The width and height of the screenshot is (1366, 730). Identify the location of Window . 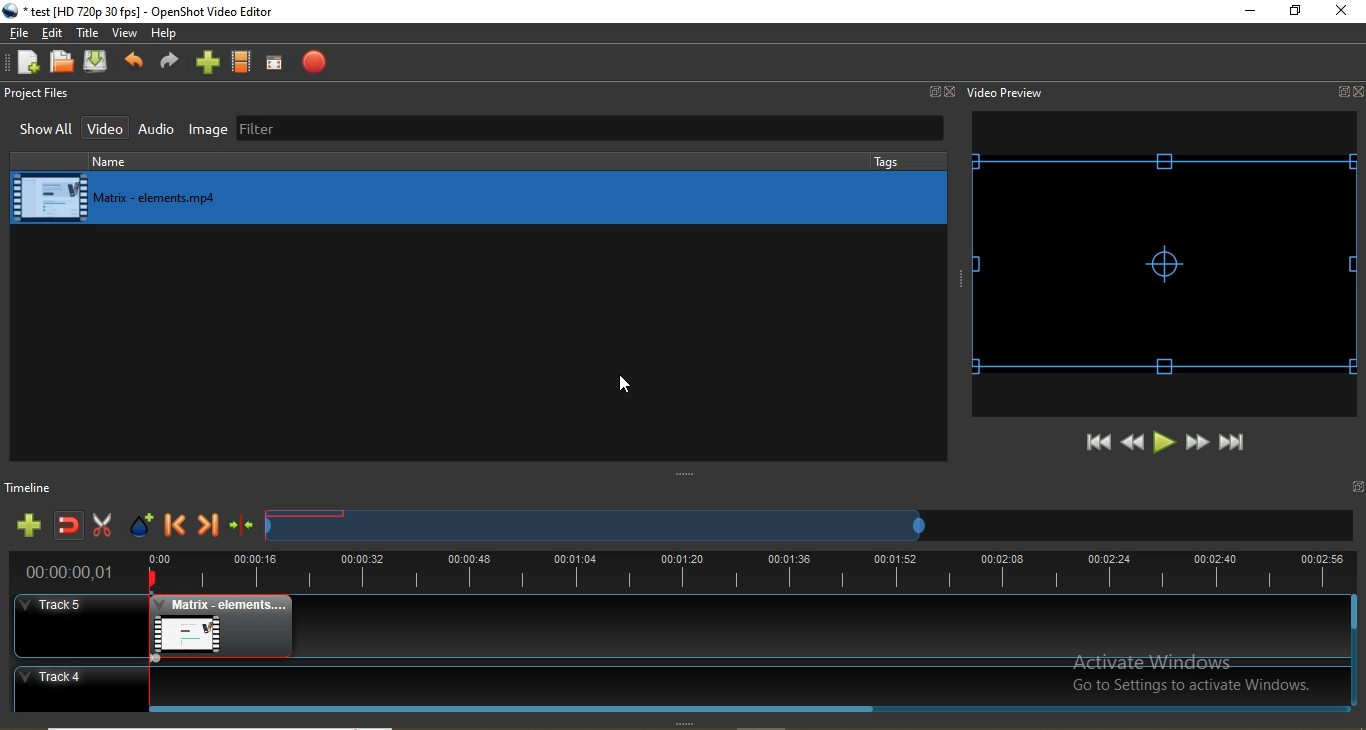
(1342, 92).